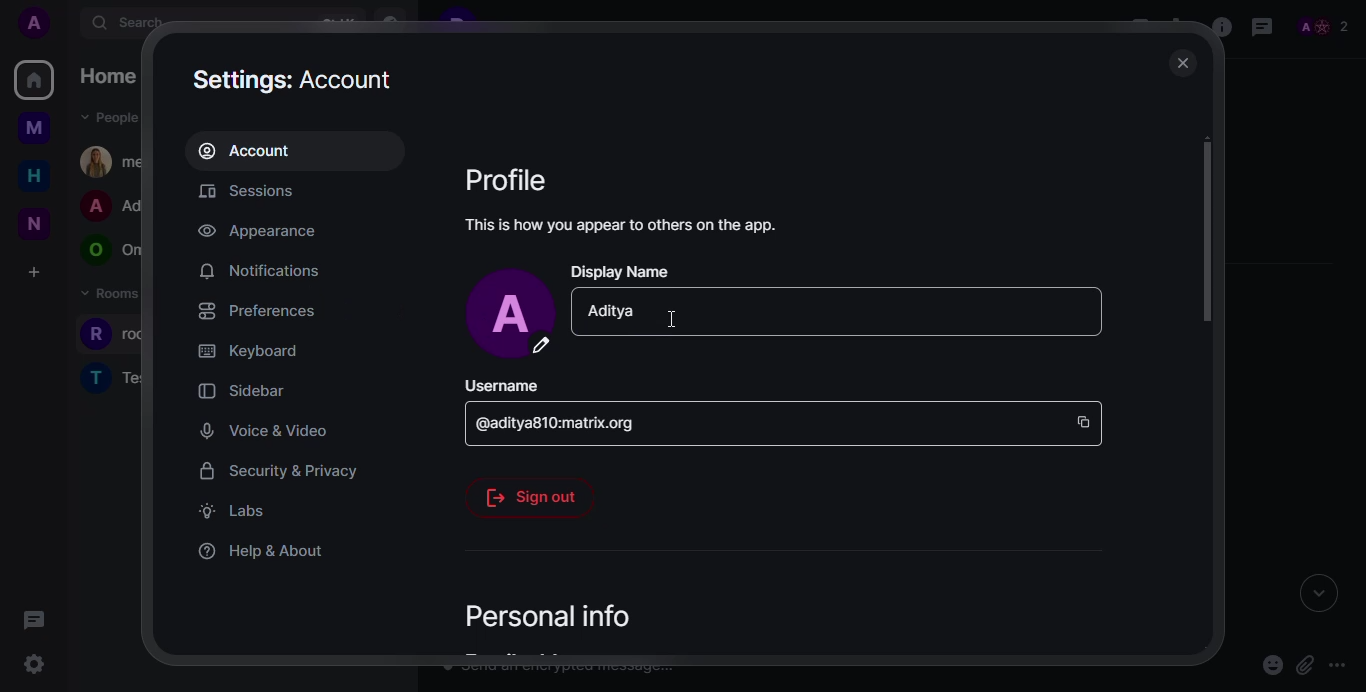 Image resolution: width=1366 pixels, height=692 pixels. What do you see at coordinates (34, 129) in the screenshot?
I see `myspace` at bounding box center [34, 129].